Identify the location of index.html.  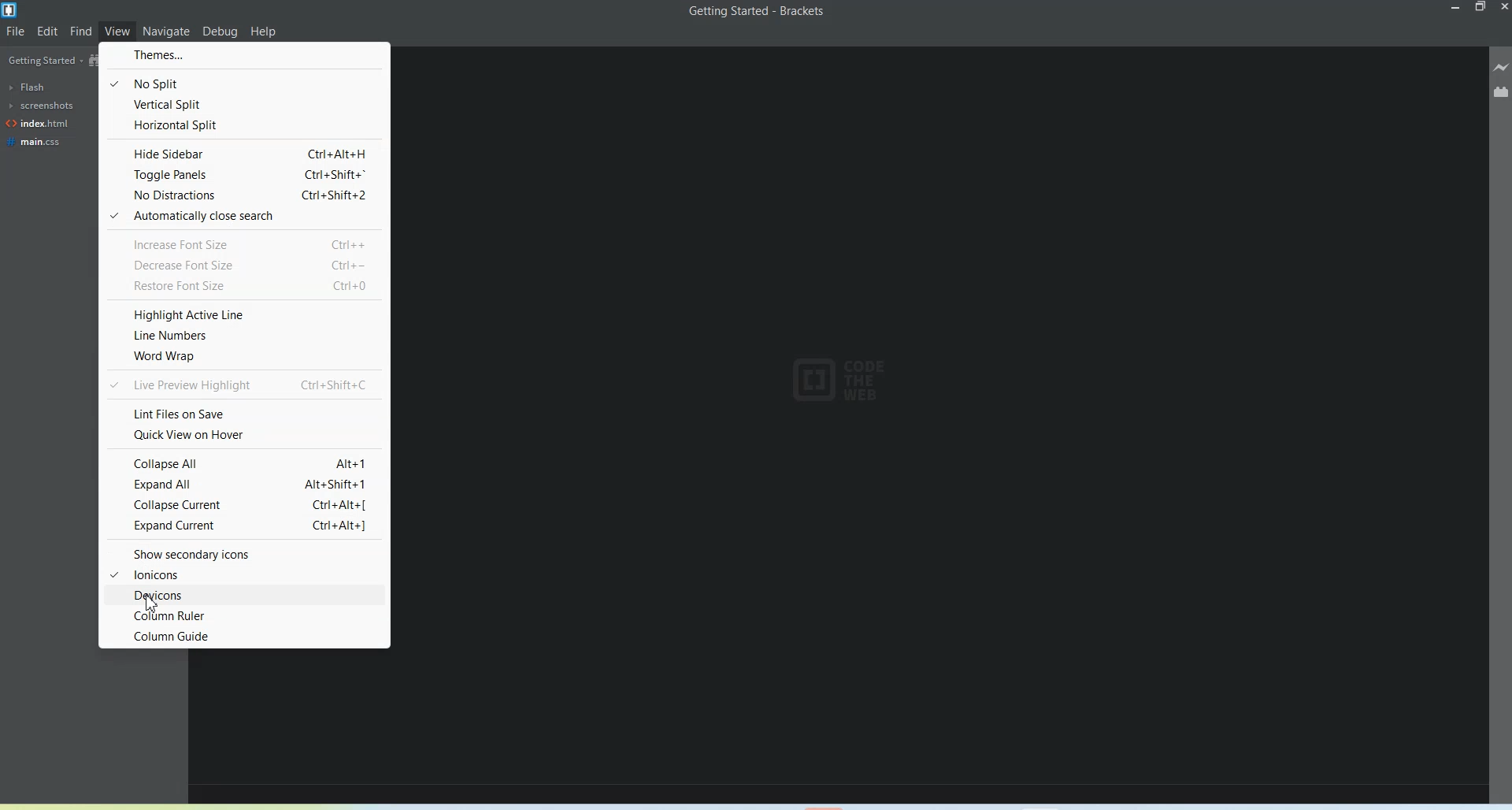
(38, 124).